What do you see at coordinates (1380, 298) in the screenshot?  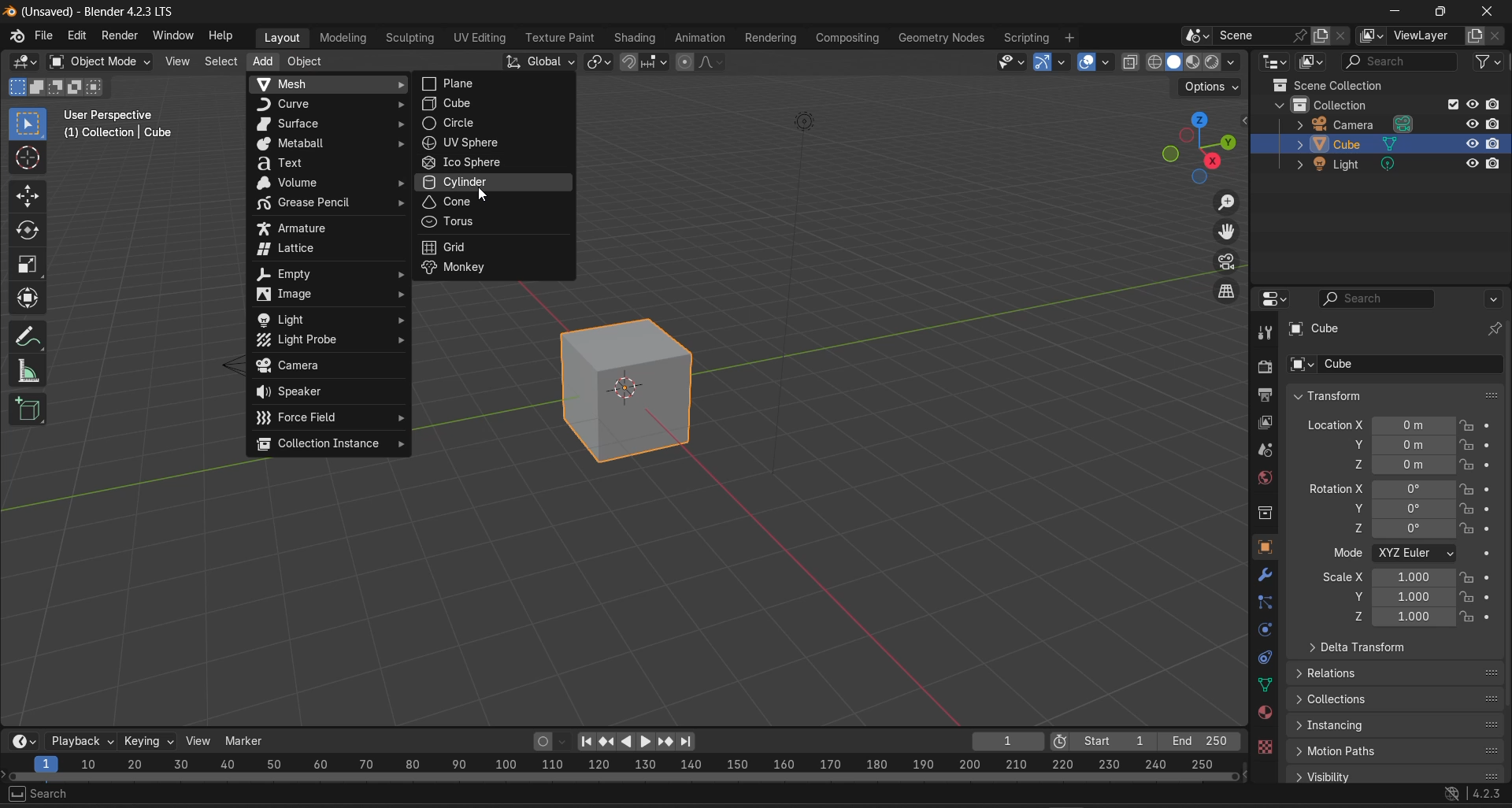 I see `live search filtering string` at bounding box center [1380, 298].